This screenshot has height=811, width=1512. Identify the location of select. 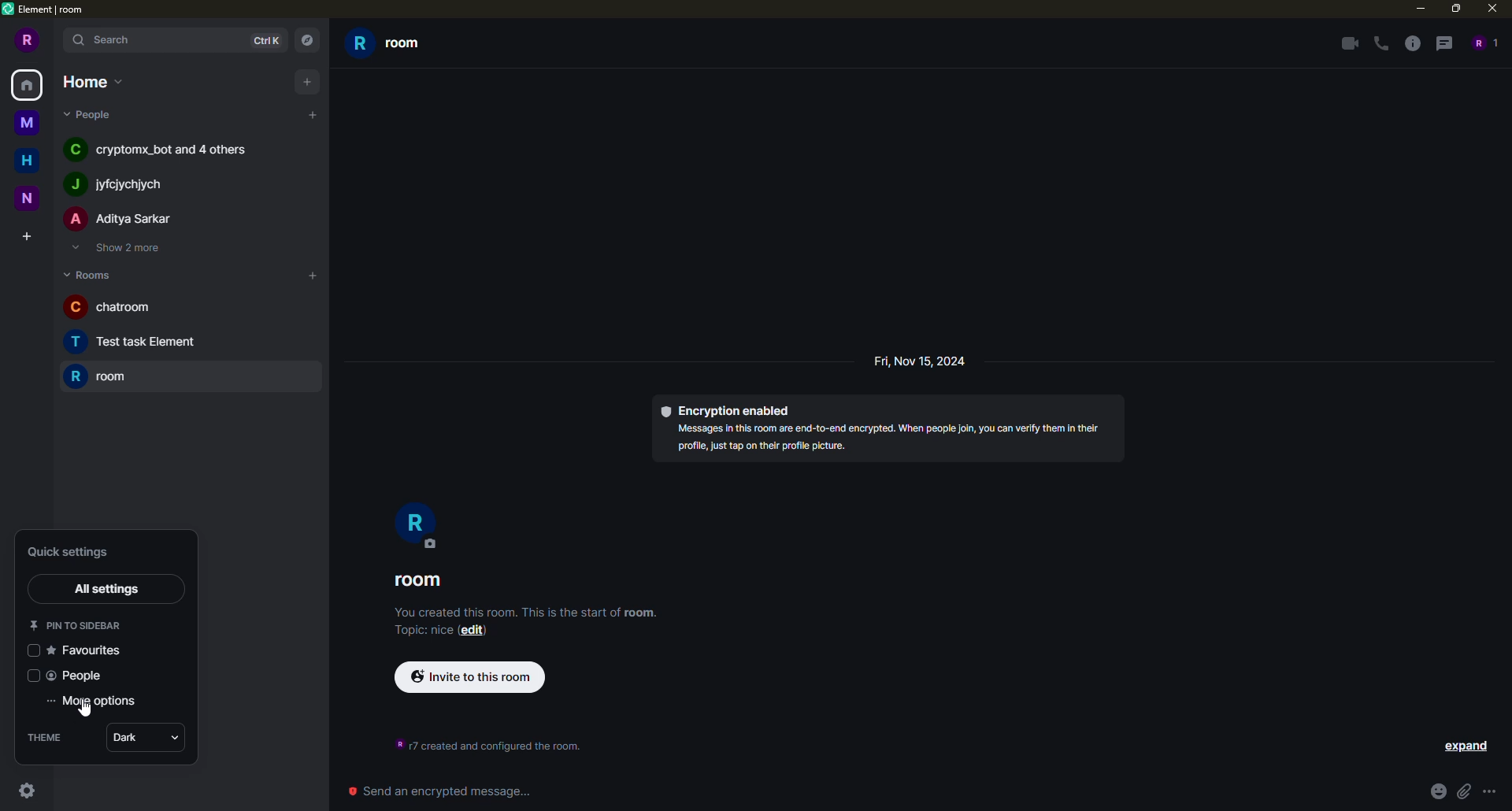
(34, 676).